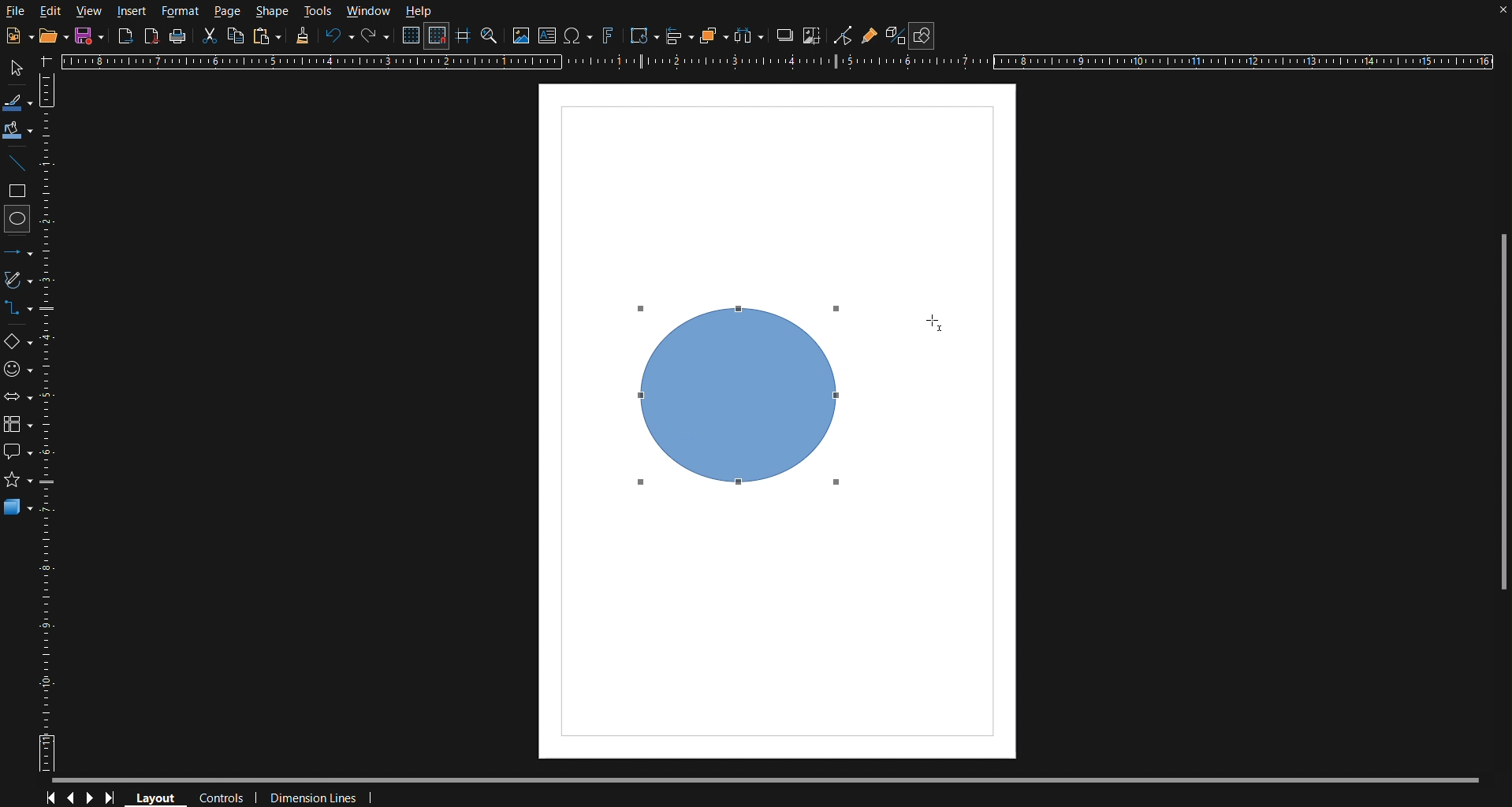 This screenshot has height=807, width=1512. What do you see at coordinates (88, 11) in the screenshot?
I see `View` at bounding box center [88, 11].